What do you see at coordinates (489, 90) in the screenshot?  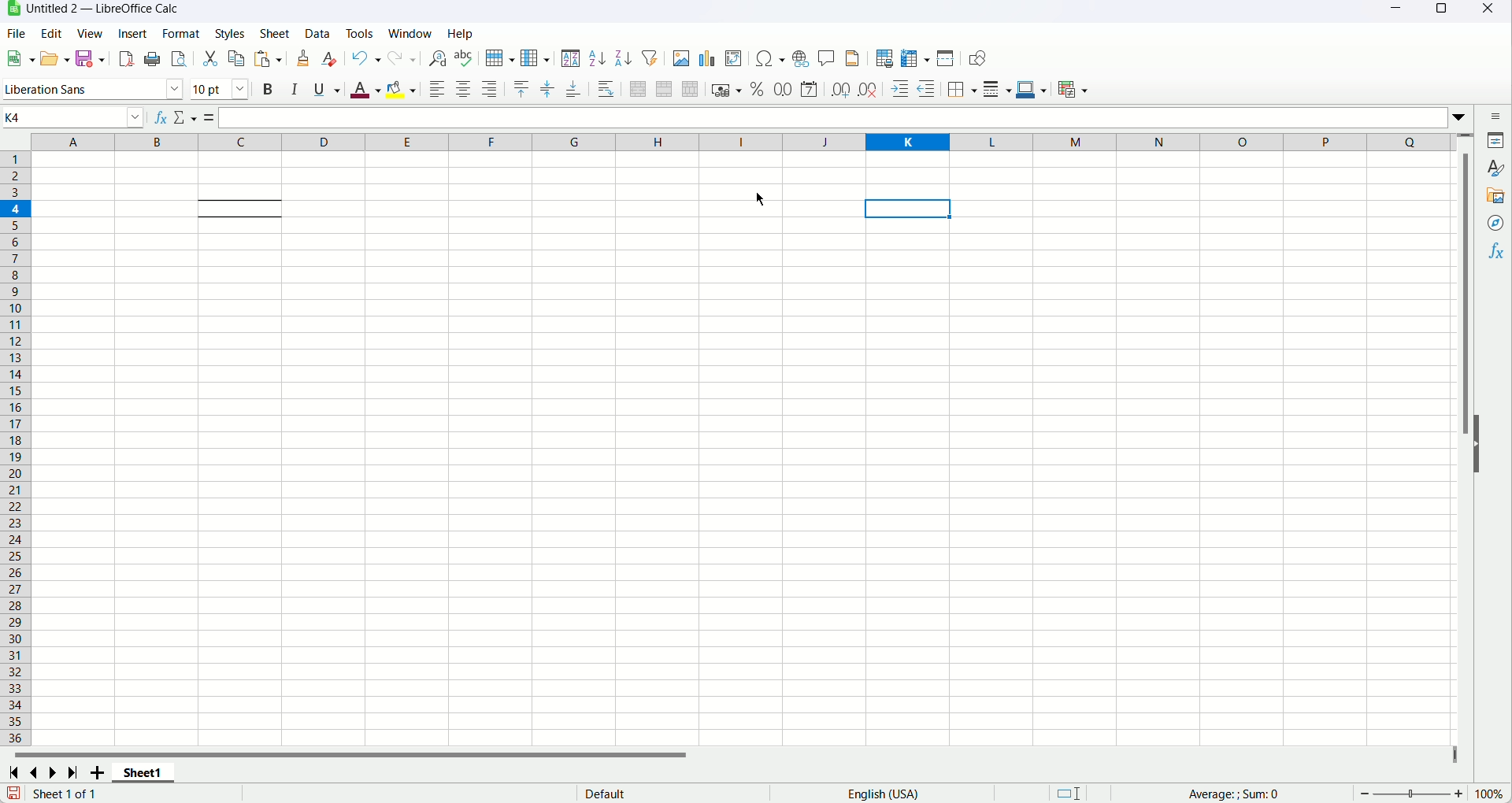 I see `Align right` at bounding box center [489, 90].